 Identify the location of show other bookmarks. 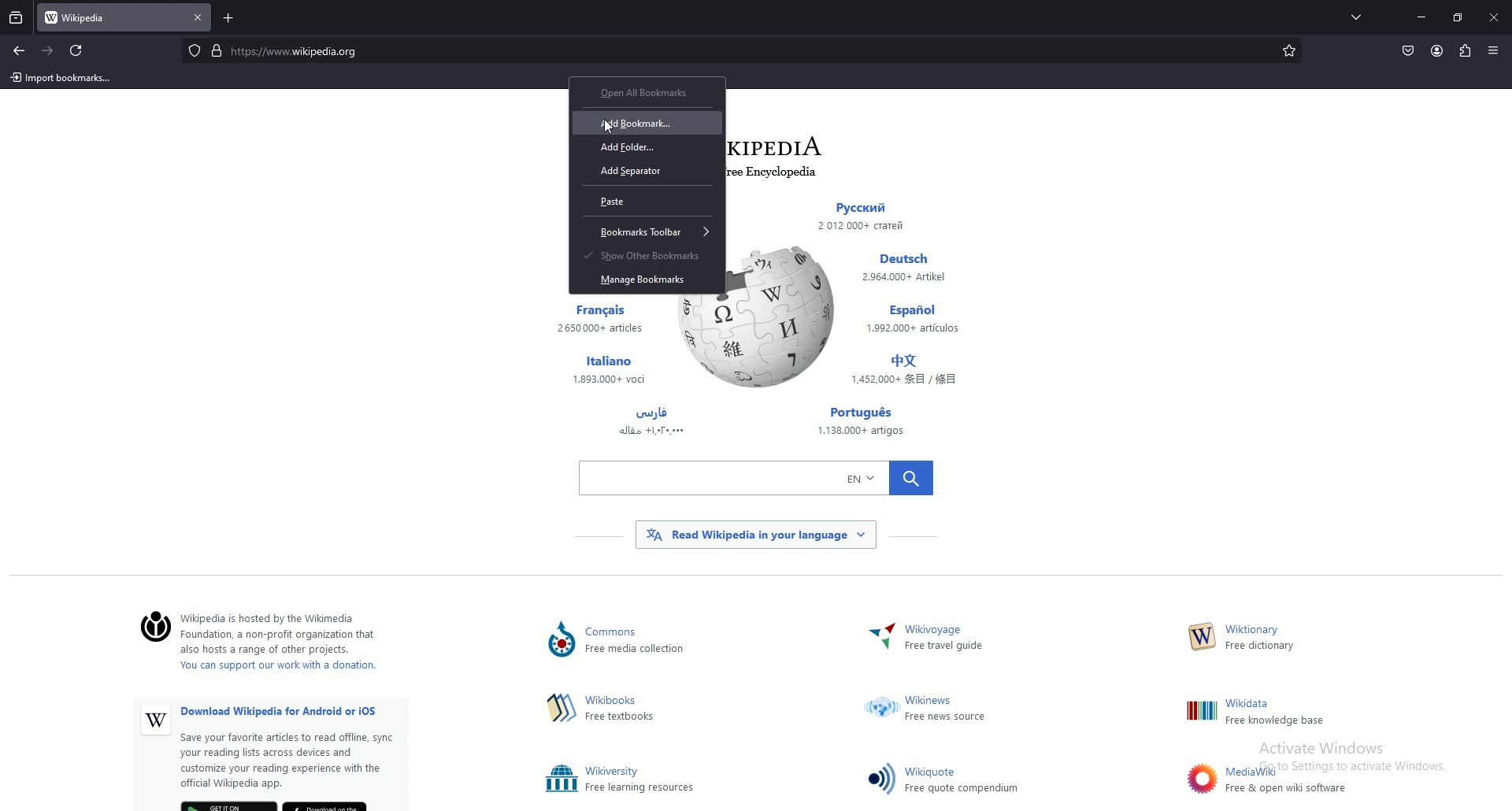
(647, 257).